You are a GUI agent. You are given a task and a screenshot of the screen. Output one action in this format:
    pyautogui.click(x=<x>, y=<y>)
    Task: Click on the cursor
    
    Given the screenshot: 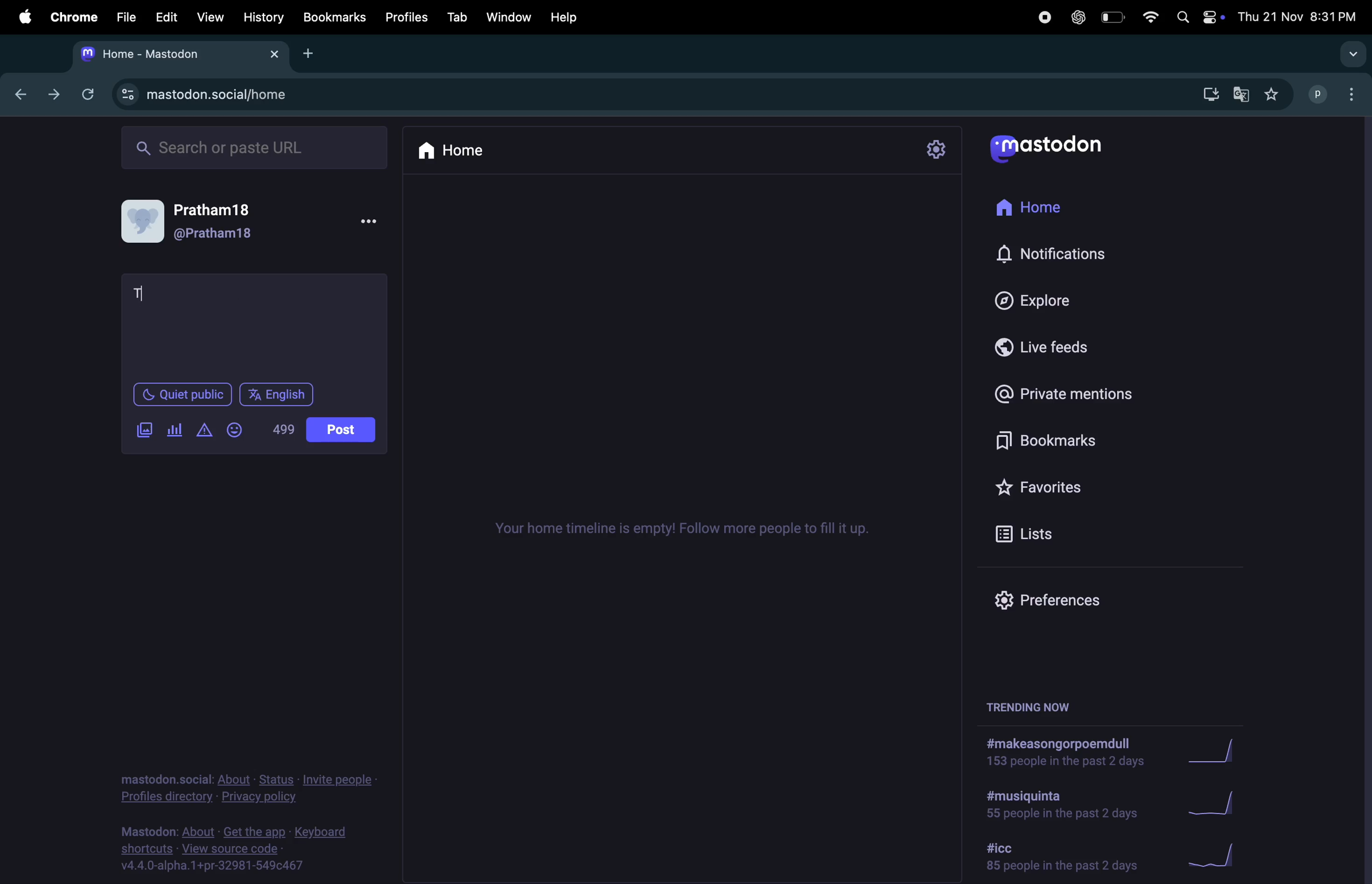 What is the action you would take?
    pyautogui.click(x=156, y=301)
    